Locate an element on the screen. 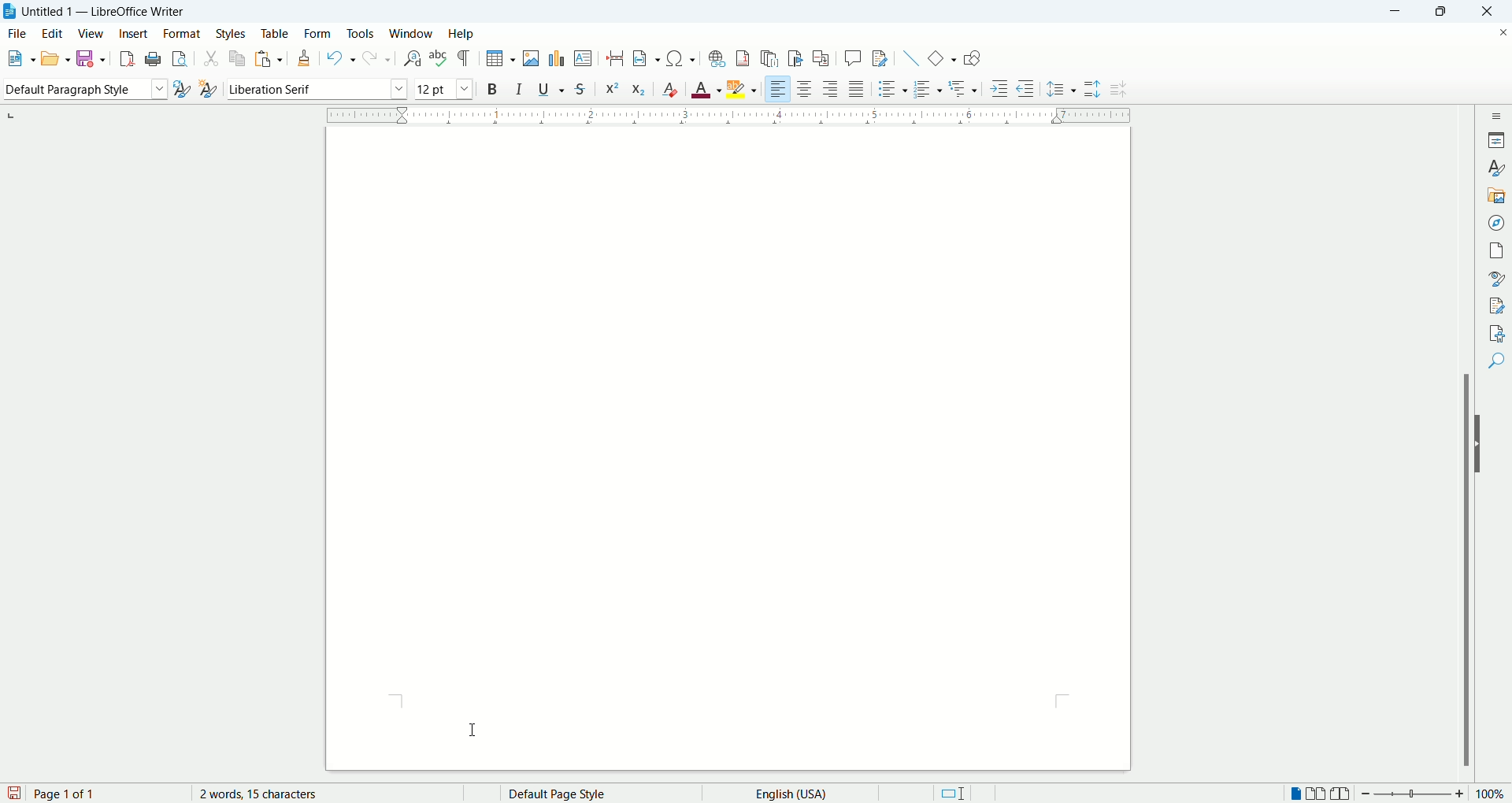 Image resolution: width=1512 pixels, height=803 pixels. outline is located at coordinates (965, 87).